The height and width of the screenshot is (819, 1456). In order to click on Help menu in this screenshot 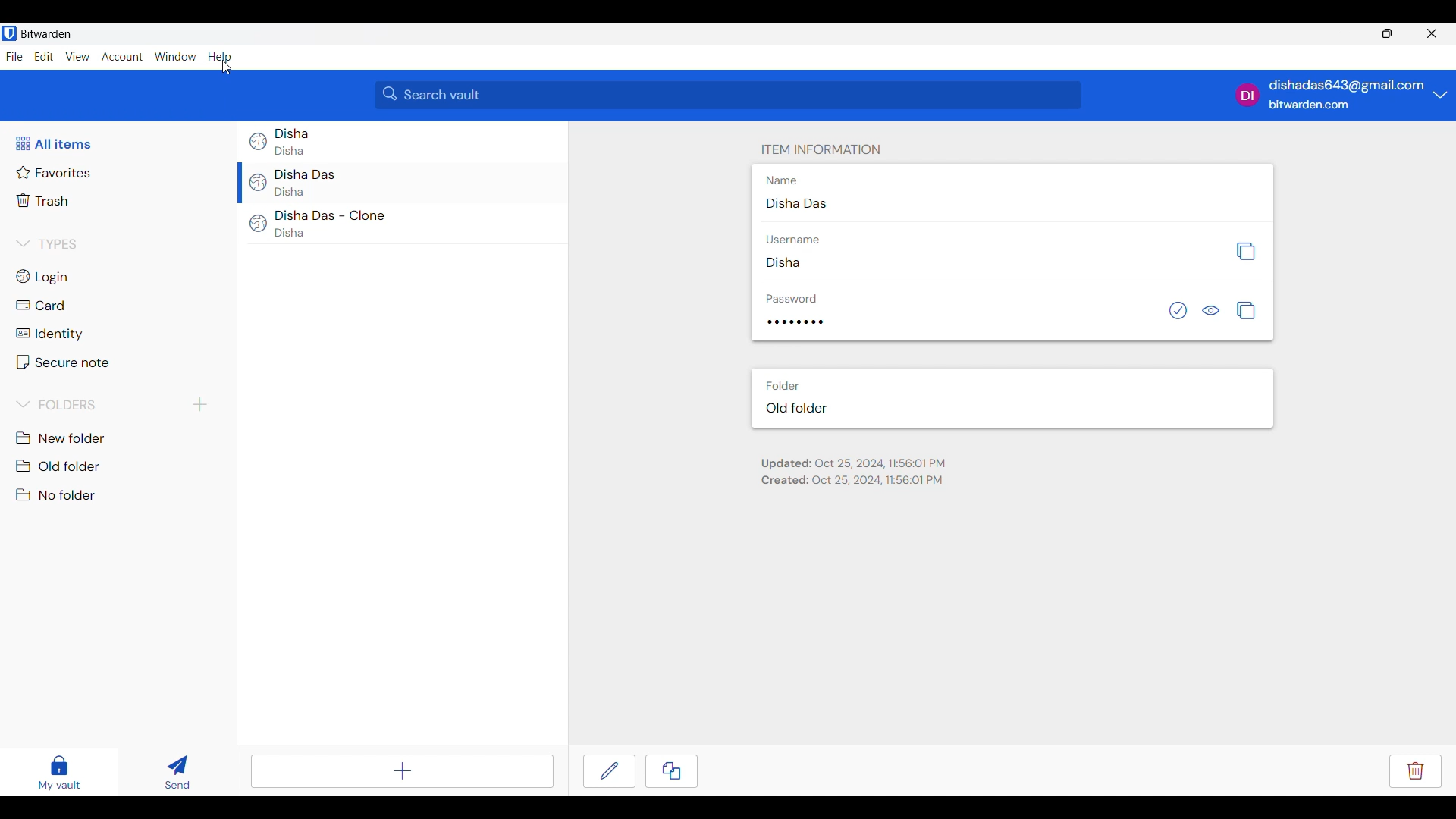, I will do `click(219, 58)`.